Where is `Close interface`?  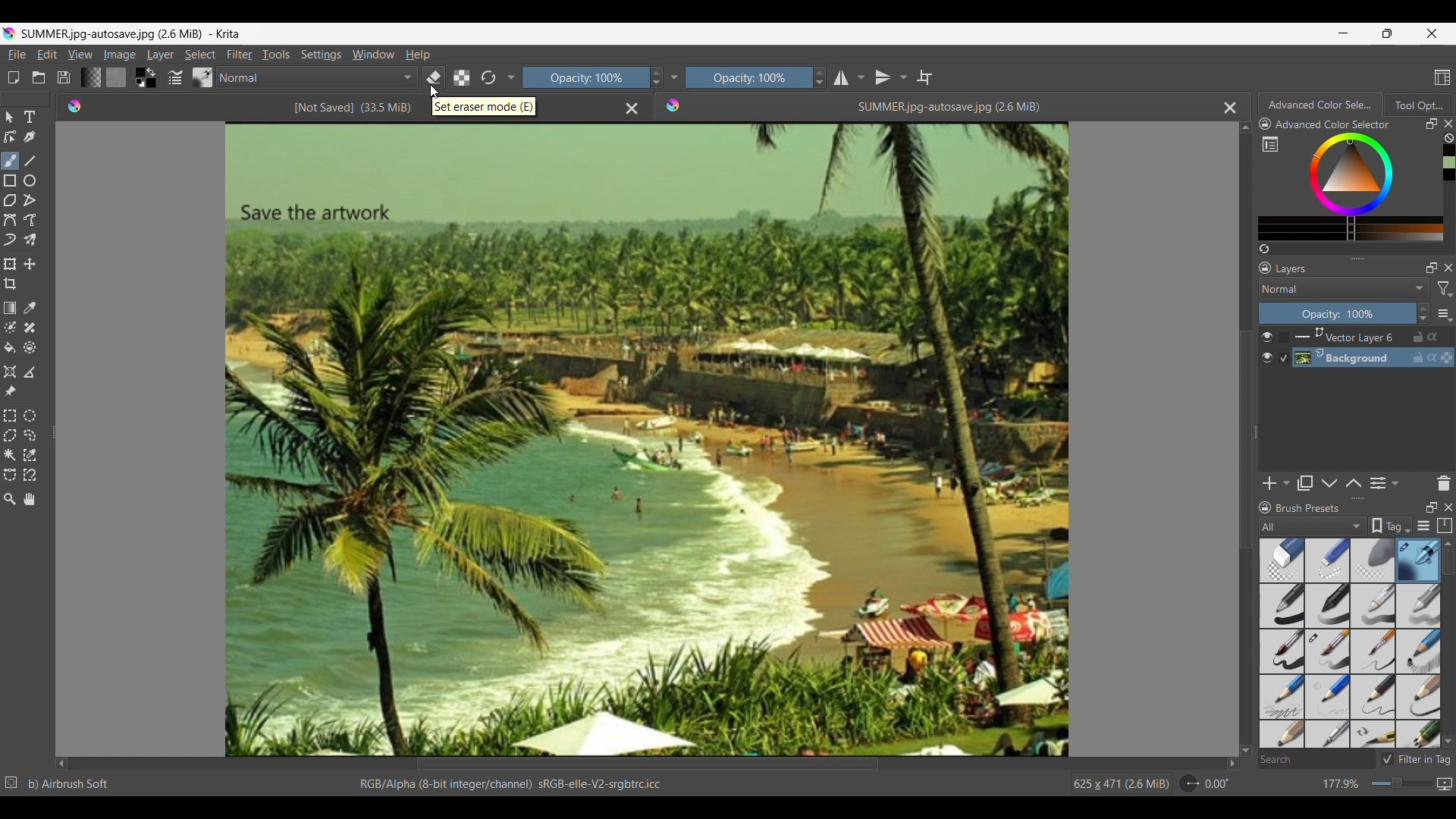
Close interface is located at coordinates (1432, 33).